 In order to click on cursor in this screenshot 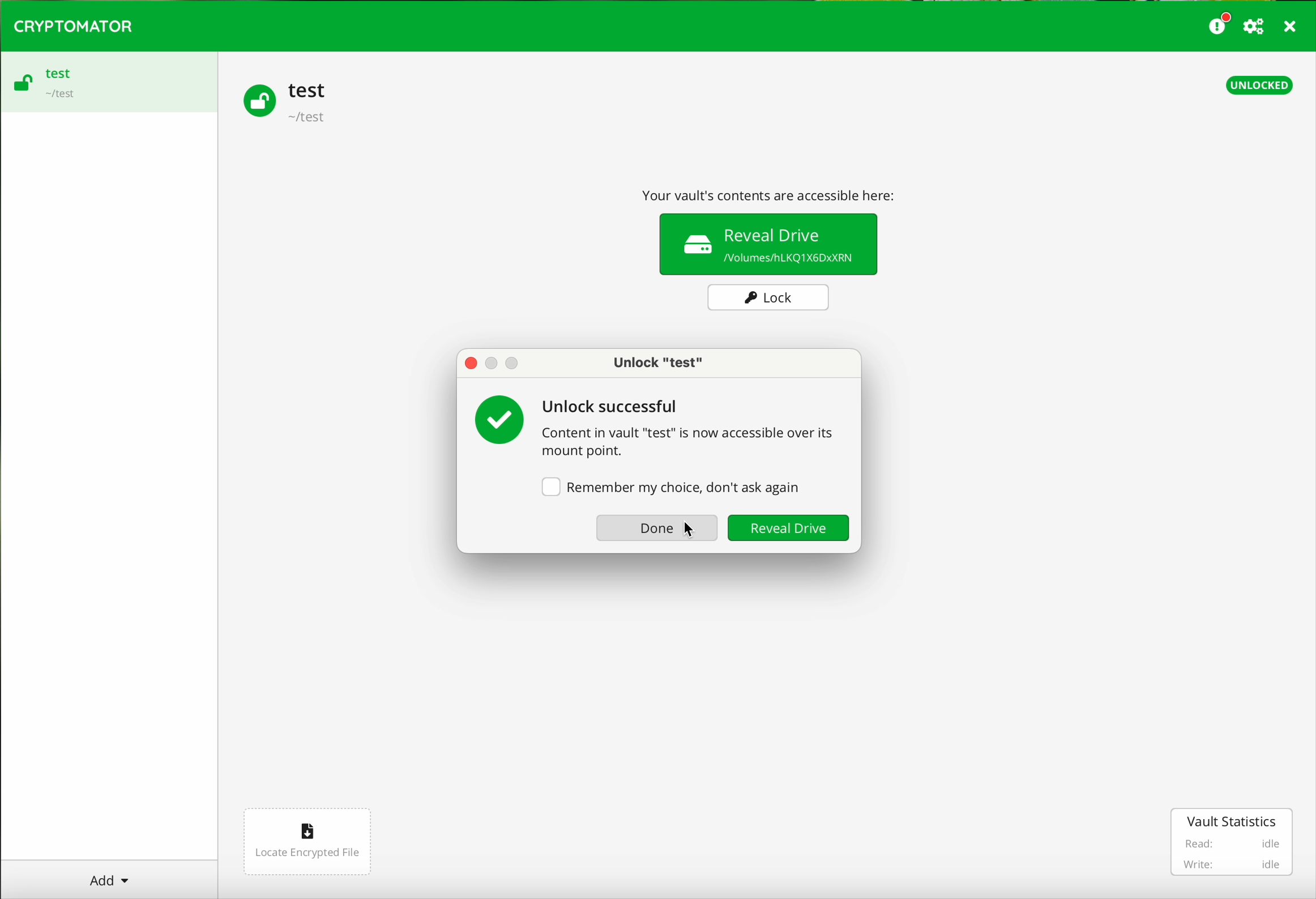, I will do `click(691, 542)`.